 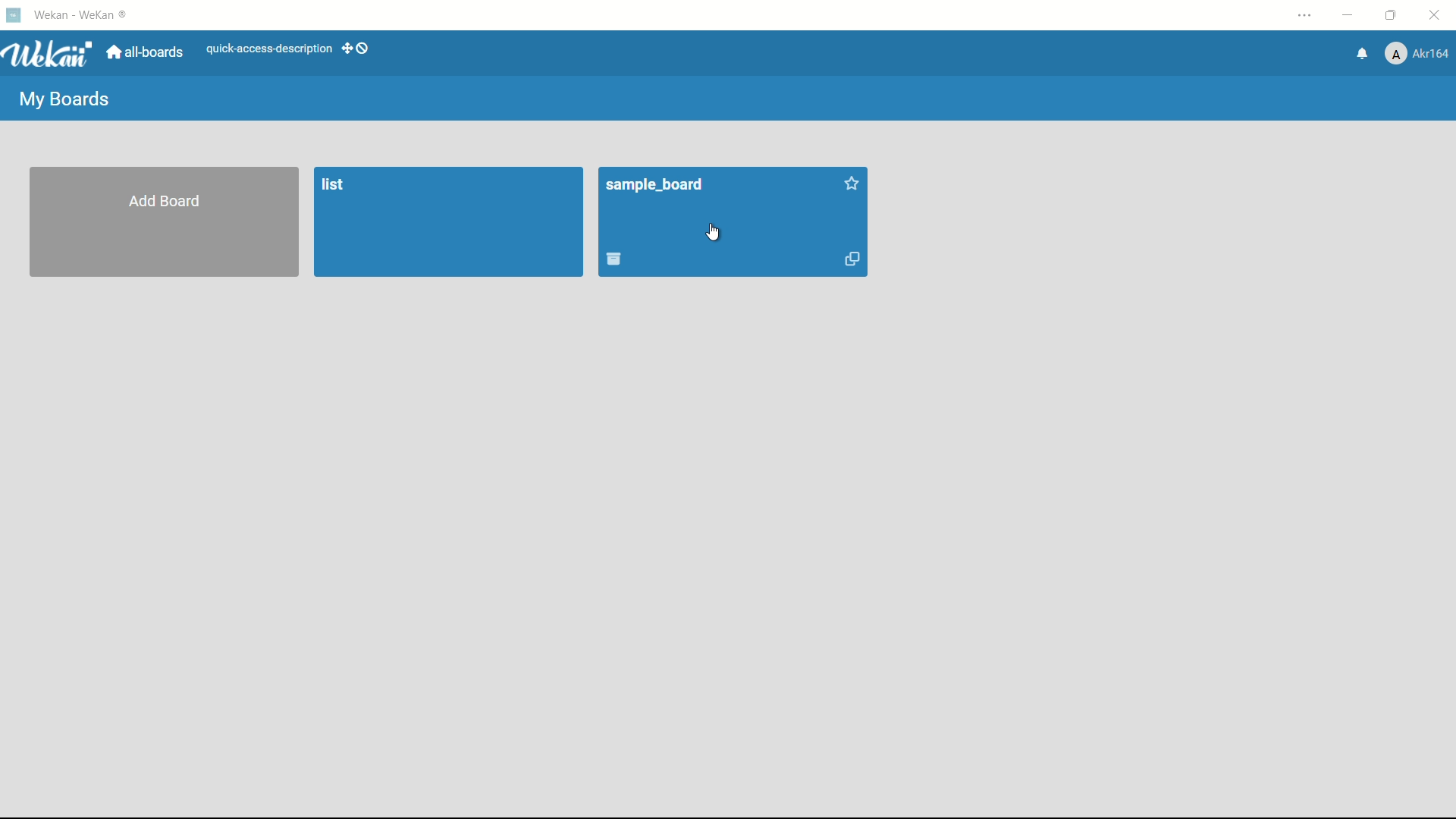 I want to click on cursor, so click(x=713, y=234).